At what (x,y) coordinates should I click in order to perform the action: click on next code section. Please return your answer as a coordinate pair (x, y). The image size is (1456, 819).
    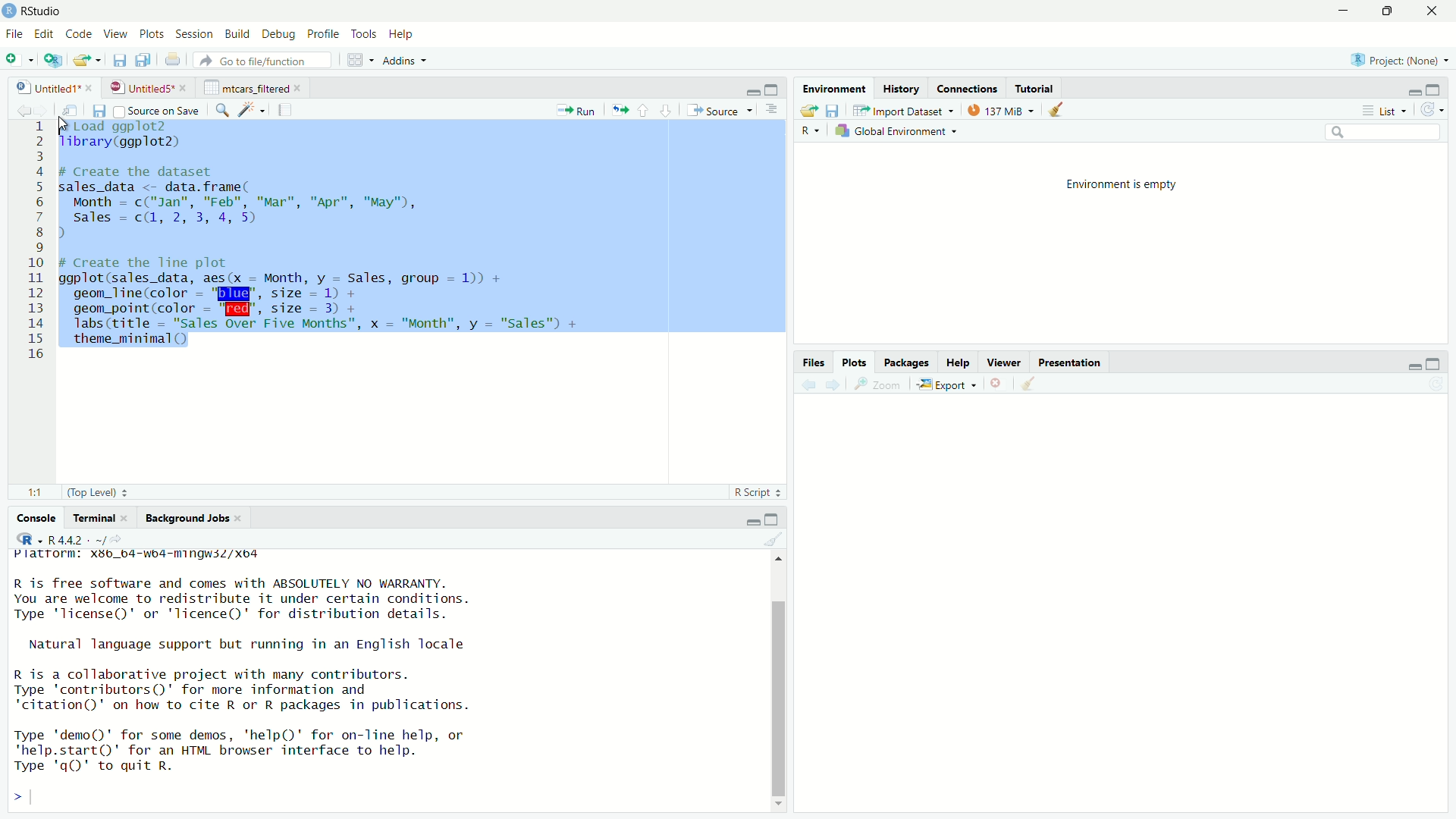
    Looking at the image, I should click on (667, 110).